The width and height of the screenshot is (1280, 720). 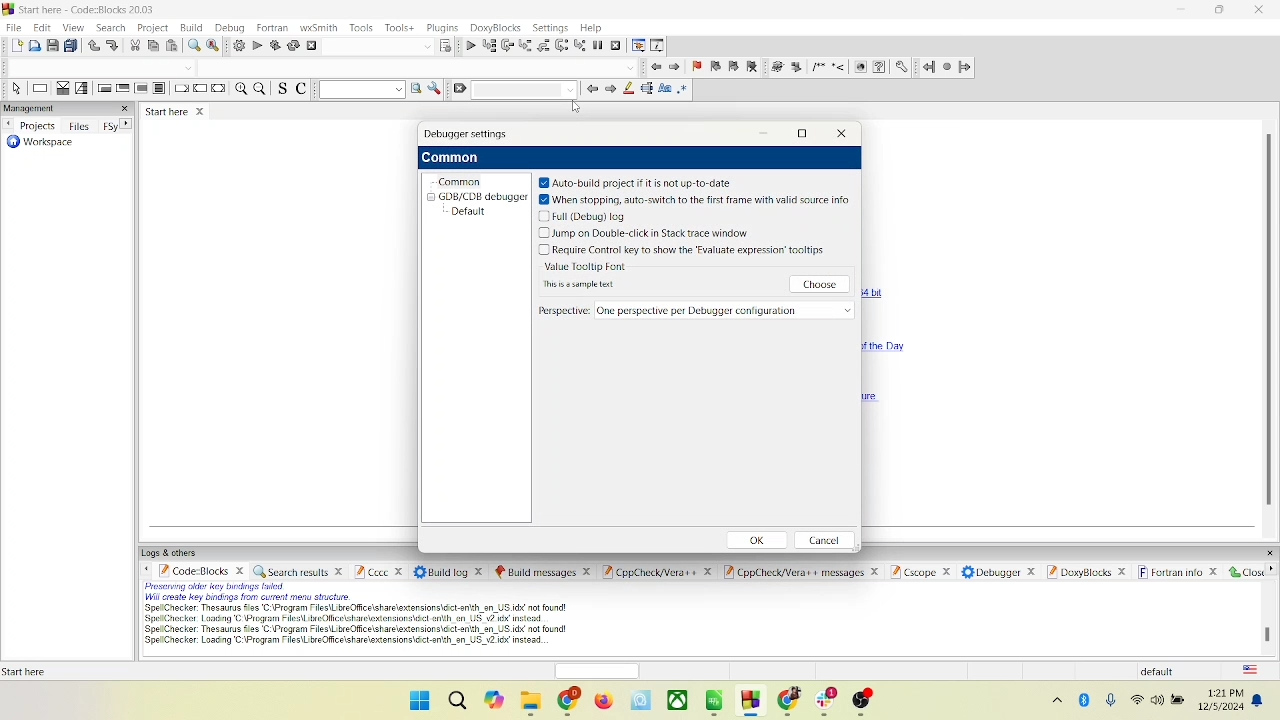 I want to click on logo, so click(x=9, y=10).